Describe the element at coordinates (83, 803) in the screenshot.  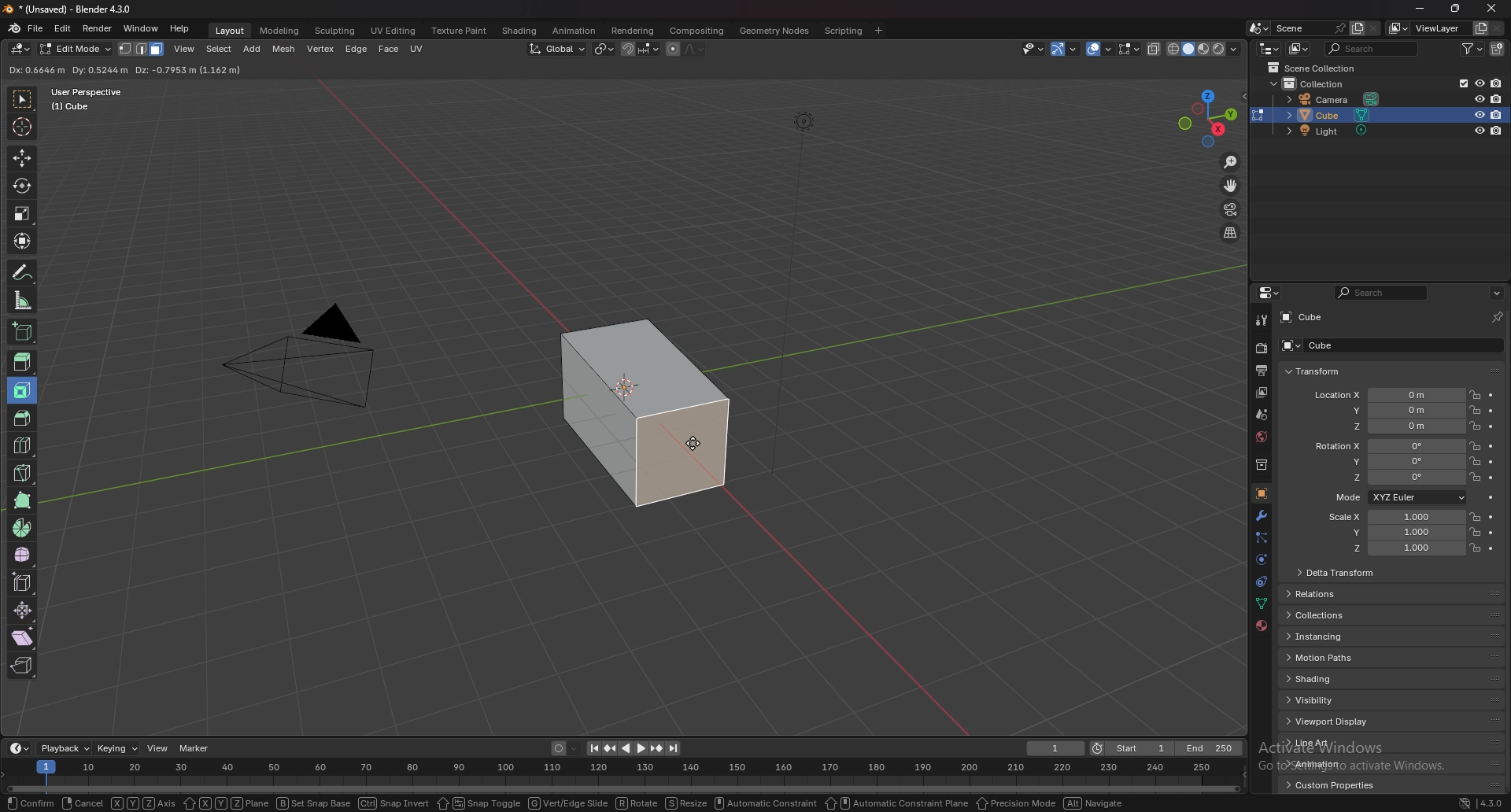
I see `Cancel` at that location.